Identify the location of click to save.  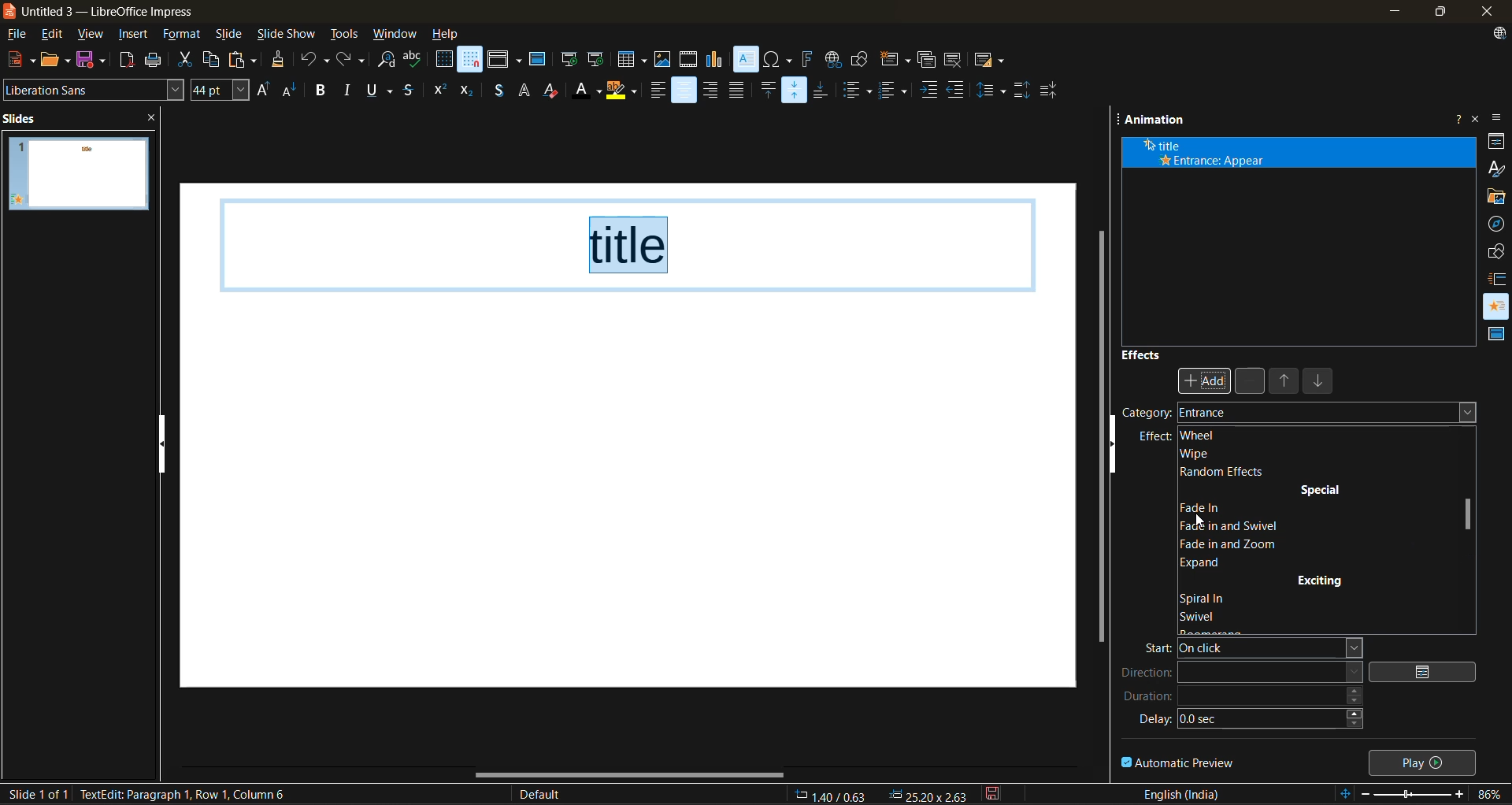
(995, 793).